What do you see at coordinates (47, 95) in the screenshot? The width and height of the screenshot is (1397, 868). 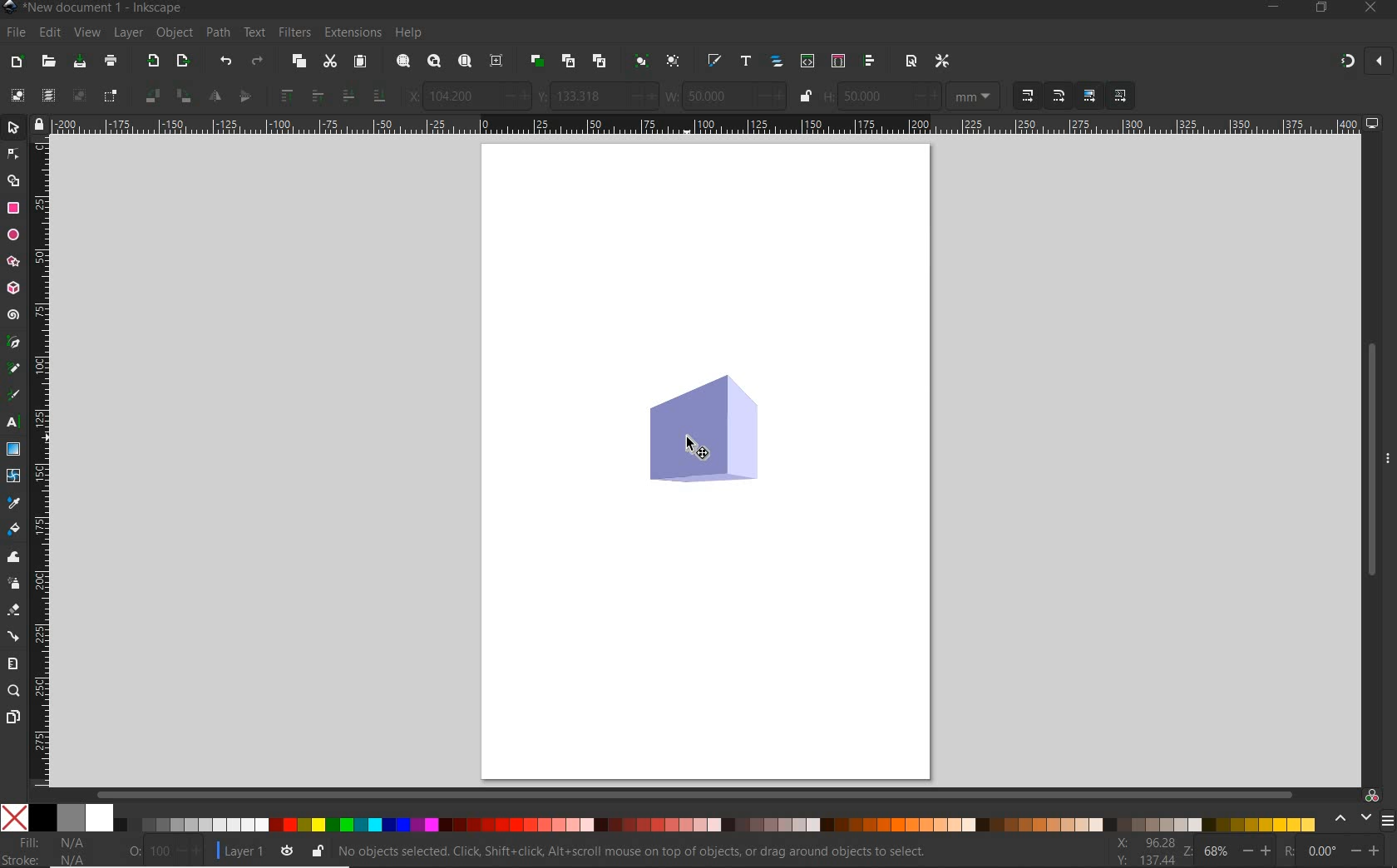 I see `select all in all layers` at bounding box center [47, 95].